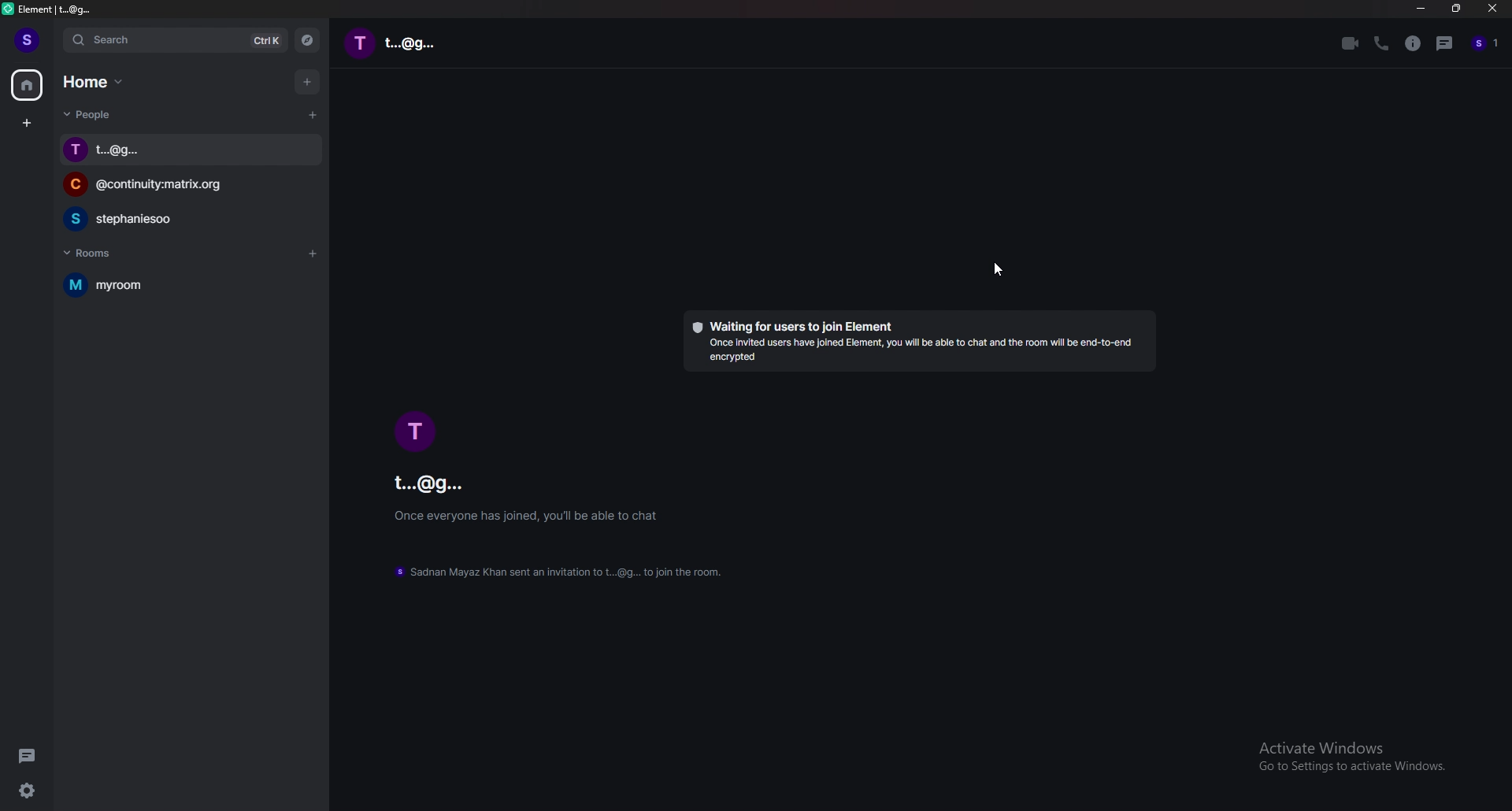 The width and height of the screenshot is (1512, 811). What do you see at coordinates (1414, 45) in the screenshot?
I see `info` at bounding box center [1414, 45].